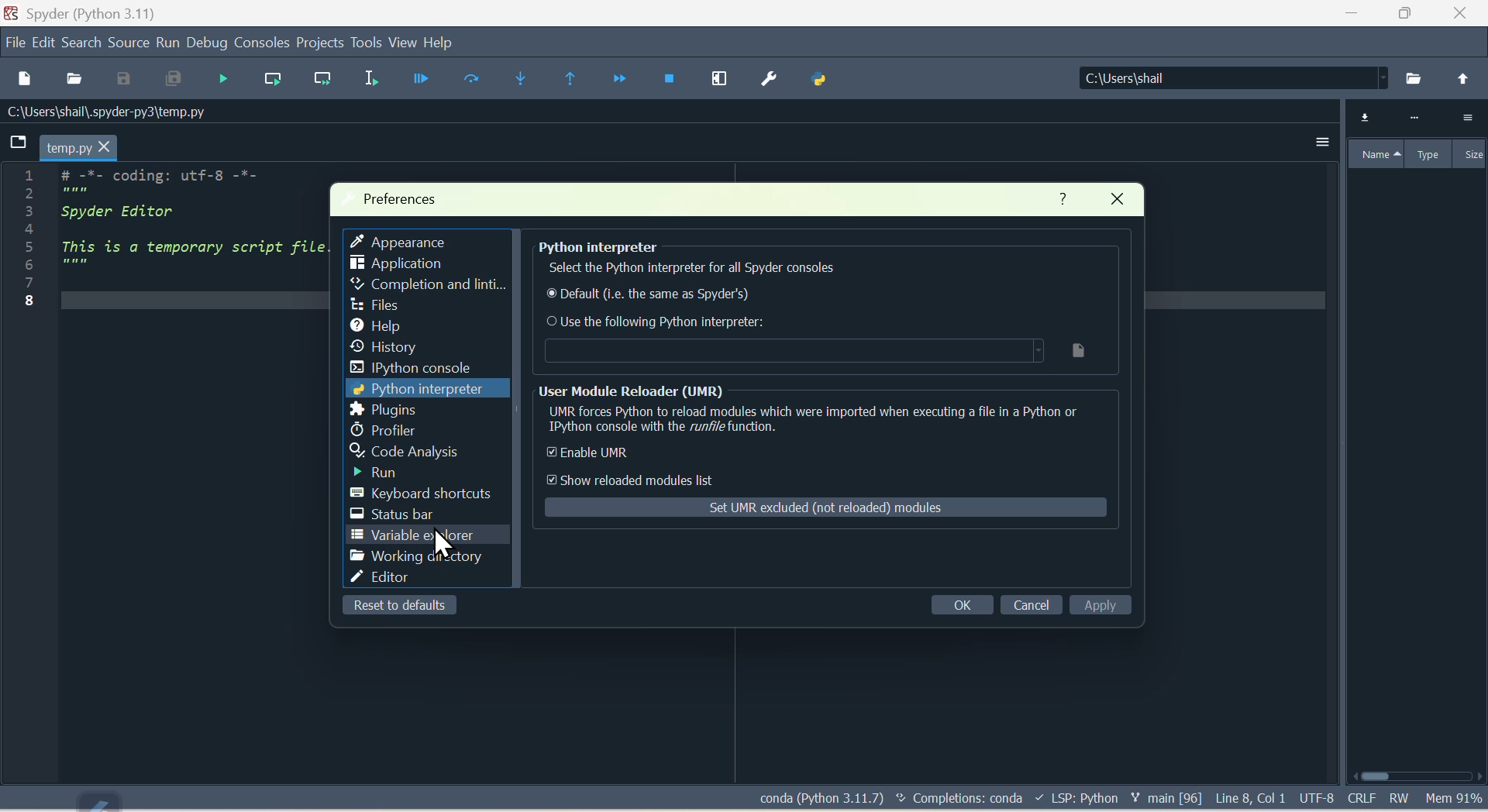 This screenshot has height=812, width=1488. Describe the element at coordinates (414, 389) in the screenshot. I see `Python interpreter` at that location.